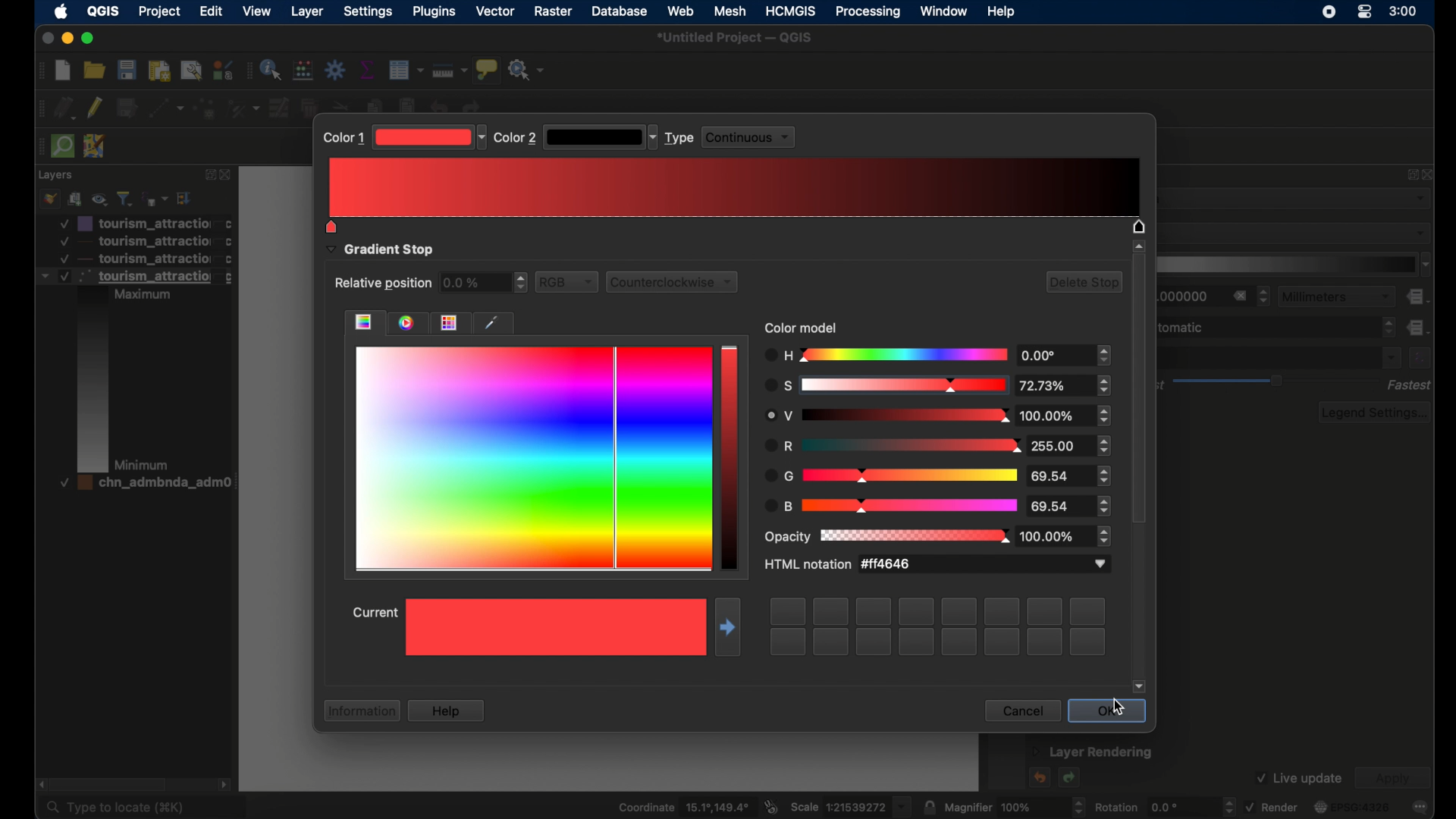  What do you see at coordinates (454, 322) in the screenshot?
I see `themes` at bounding box center [454, 322].